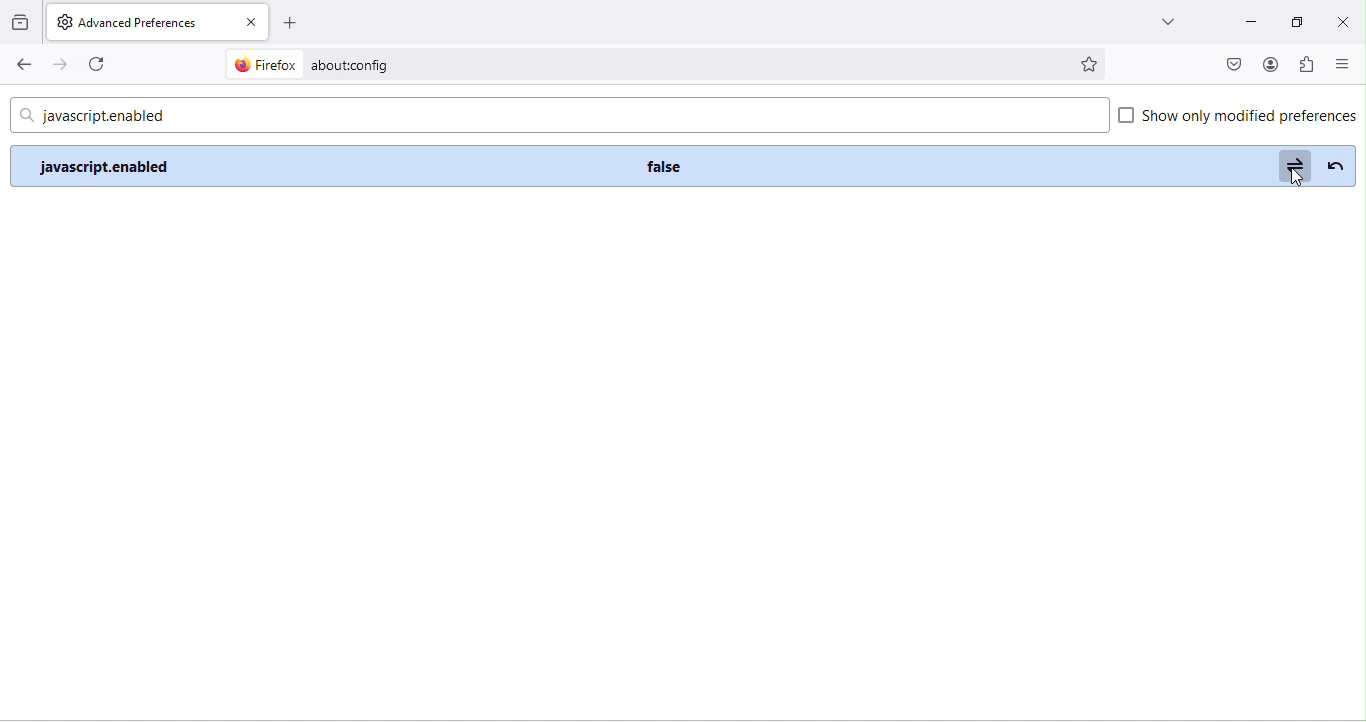 The height and width of the screenshot is (722, 1366). I want to click on javascript.enabled, so click(560, 116).